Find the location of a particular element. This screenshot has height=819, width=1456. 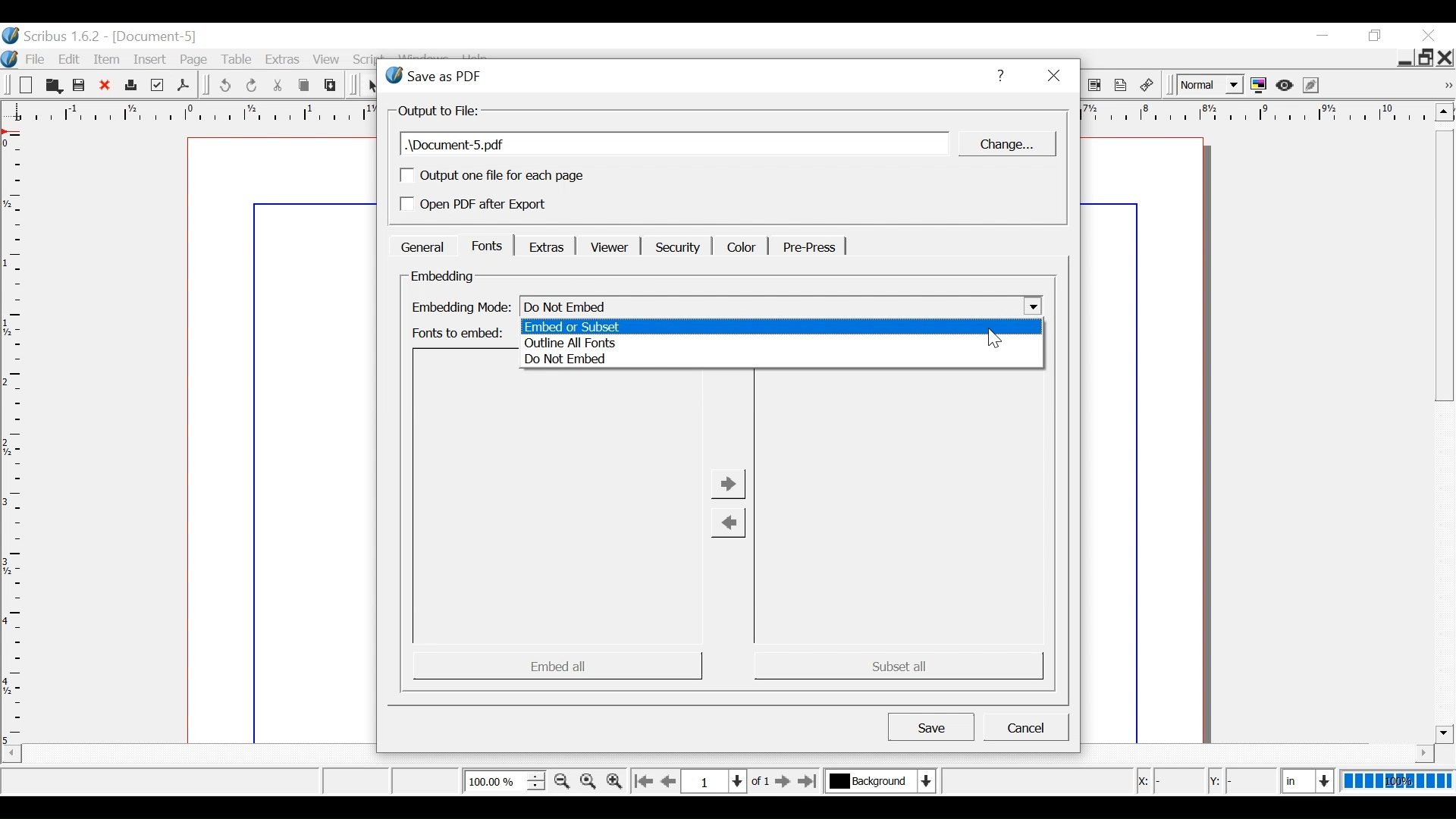

Output of file is located at coordinates (440, 111).